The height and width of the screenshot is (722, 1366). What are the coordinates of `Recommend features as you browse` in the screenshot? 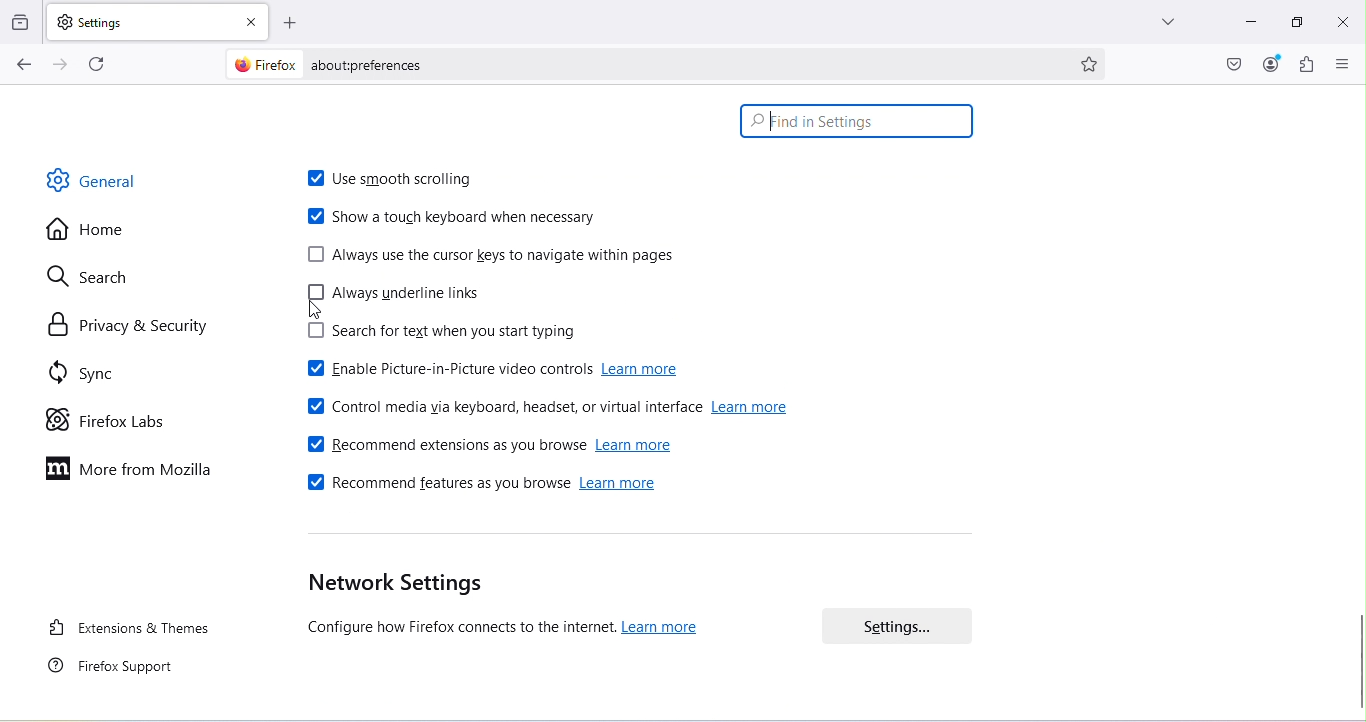 It's located at (436, 484).